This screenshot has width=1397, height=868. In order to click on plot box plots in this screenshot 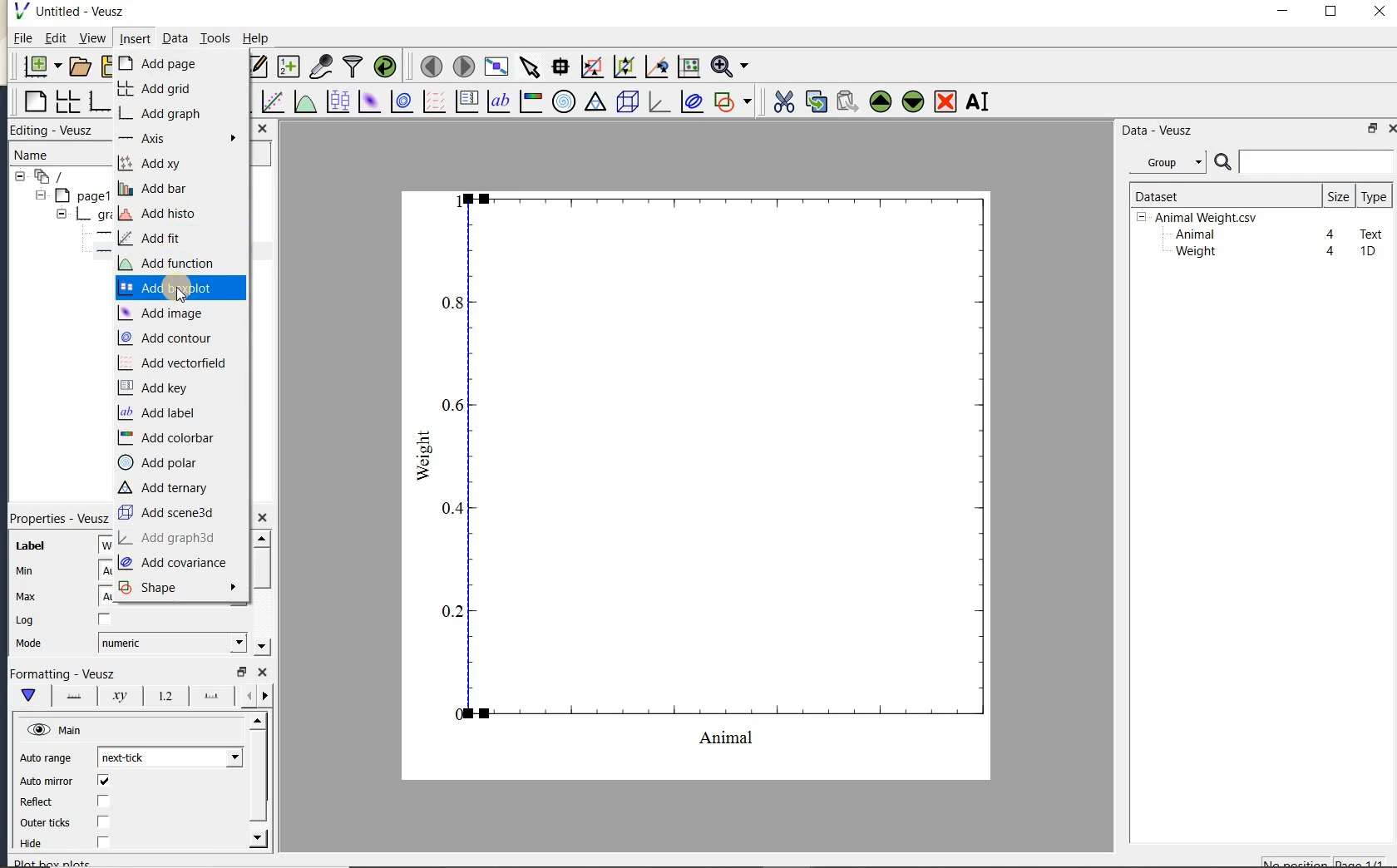, I will do `click(335, 102)`.